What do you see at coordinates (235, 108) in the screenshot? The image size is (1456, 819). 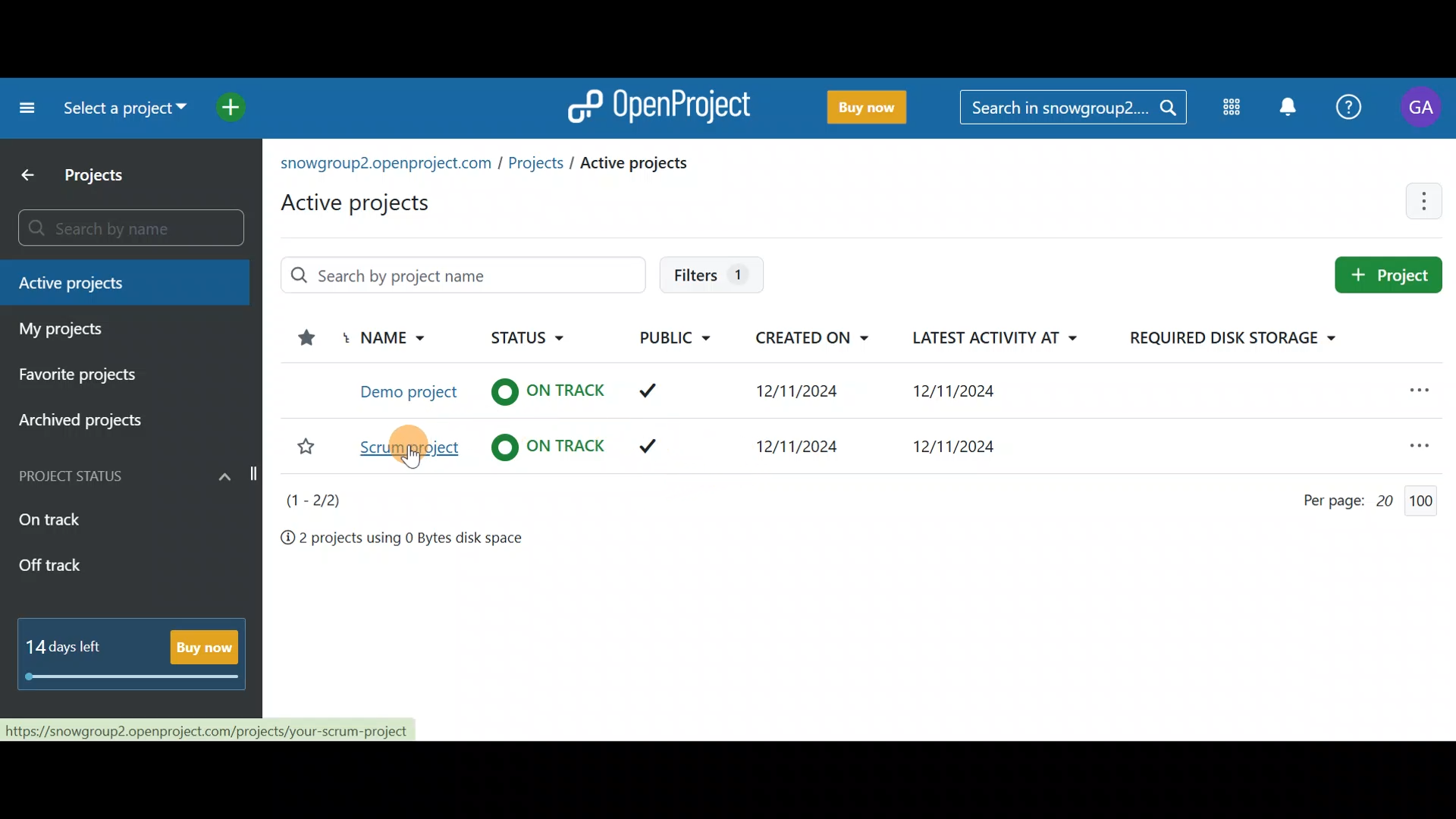 I see `Open quick add menu` at bounding box center [235, 108].